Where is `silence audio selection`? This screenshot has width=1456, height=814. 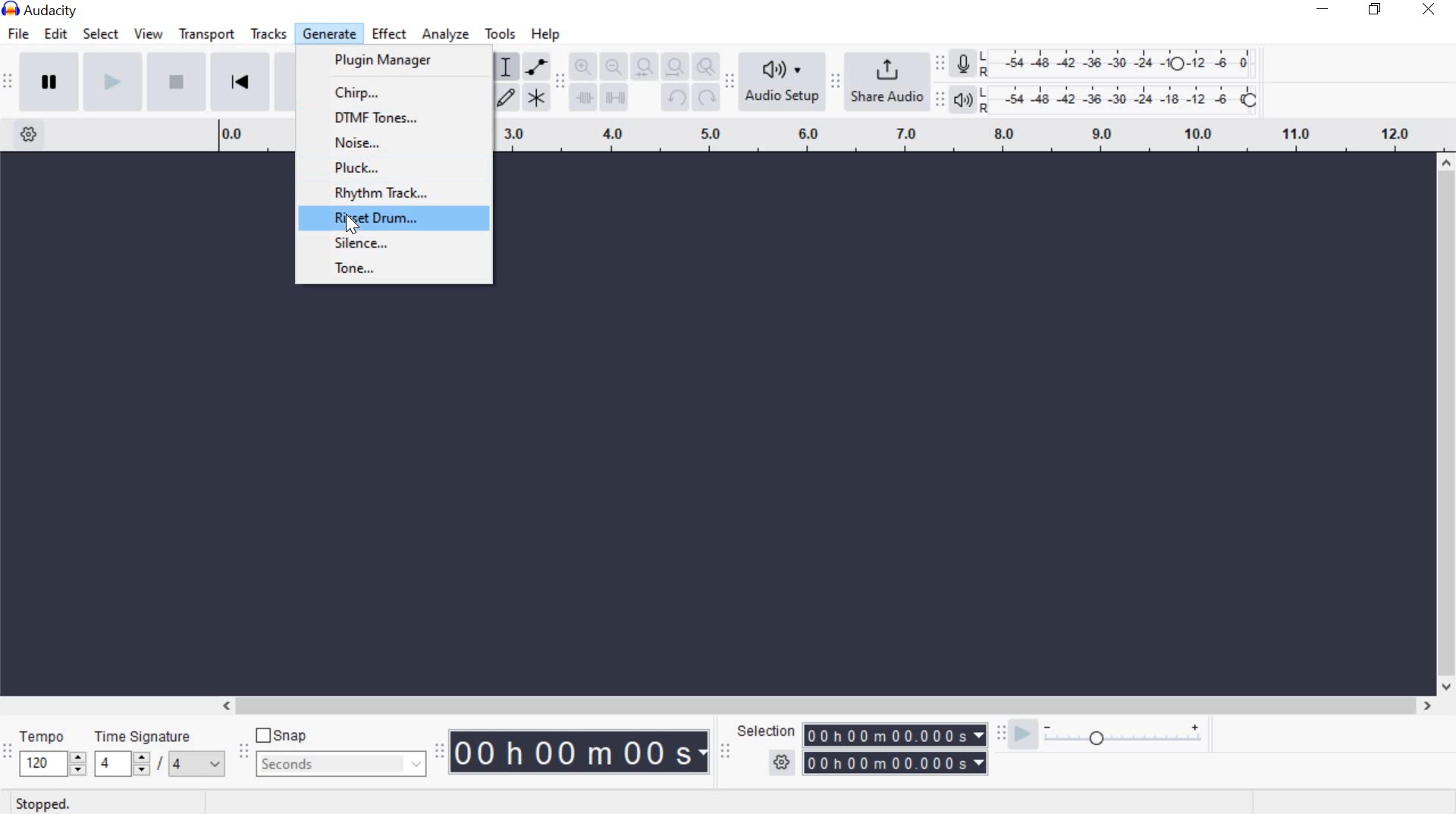 silence audio selection is located at coordinates (613, 98).